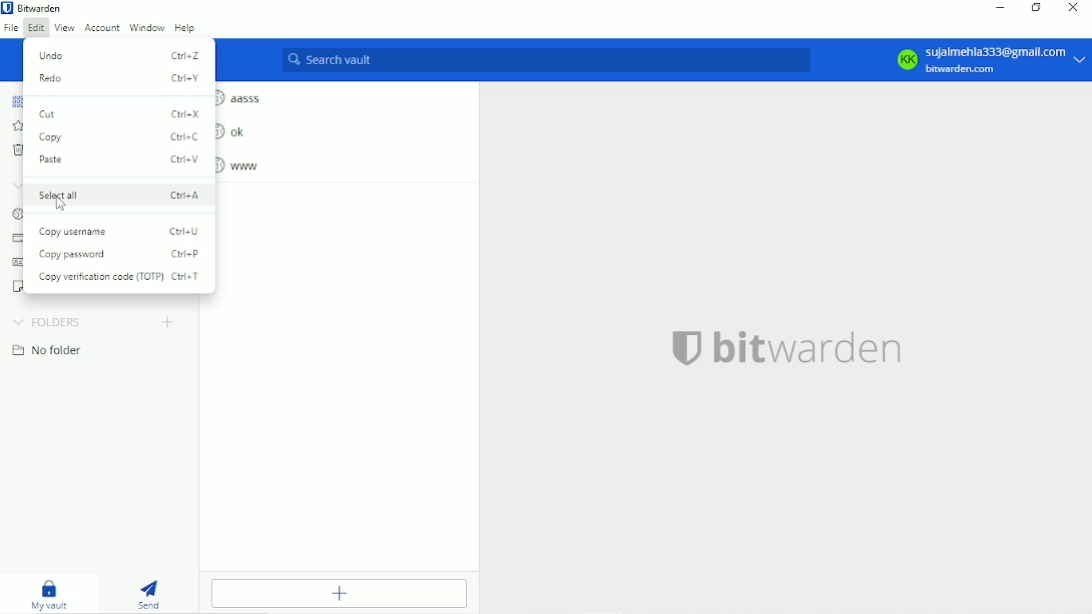 This screenshot has height=614, width=1092. What do you see at coordinates (119, 54) in the screenshot?
I see `Undo` at bounding box center [119, 54].